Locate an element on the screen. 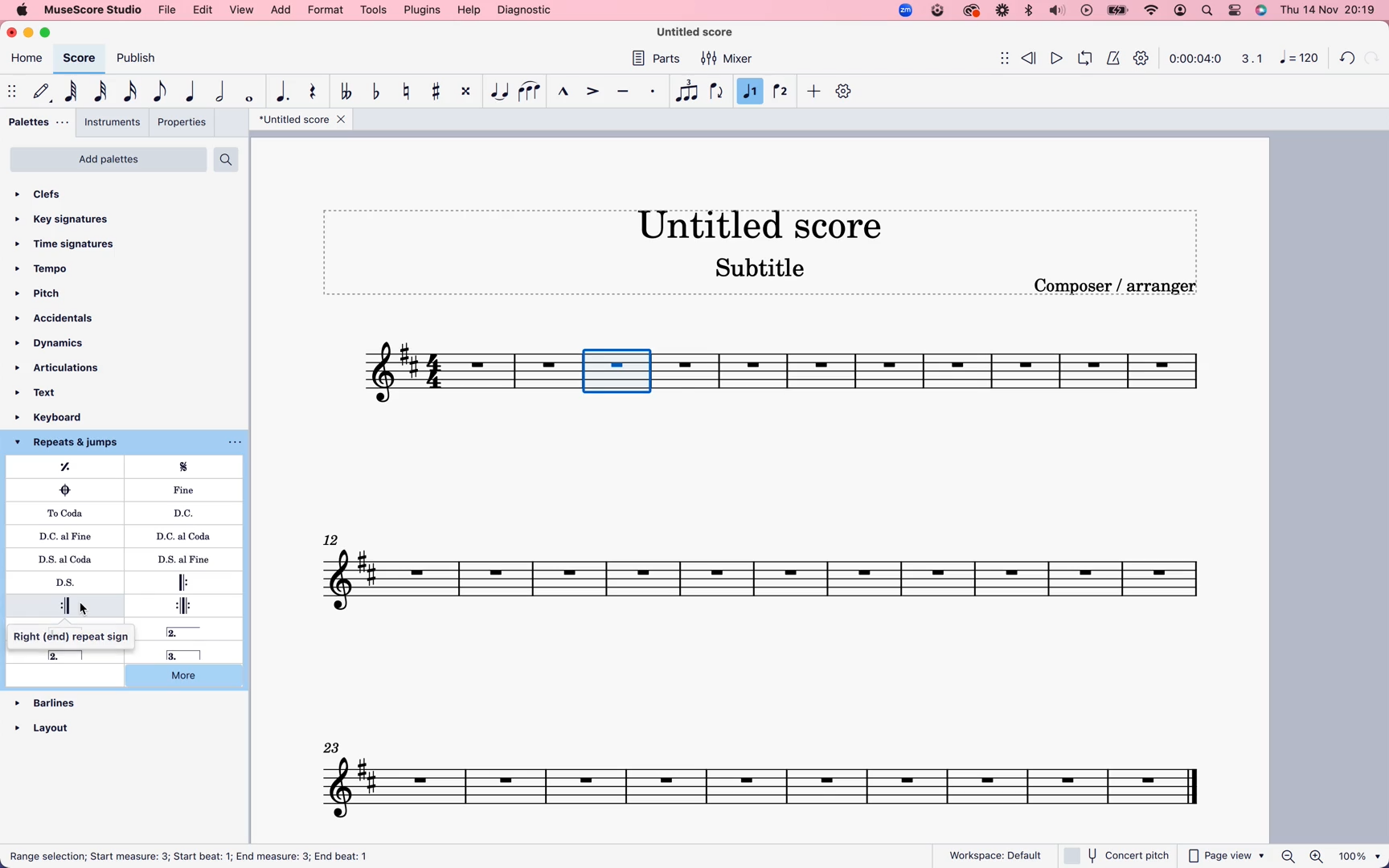  pallets is located at coordinates (39, 121).